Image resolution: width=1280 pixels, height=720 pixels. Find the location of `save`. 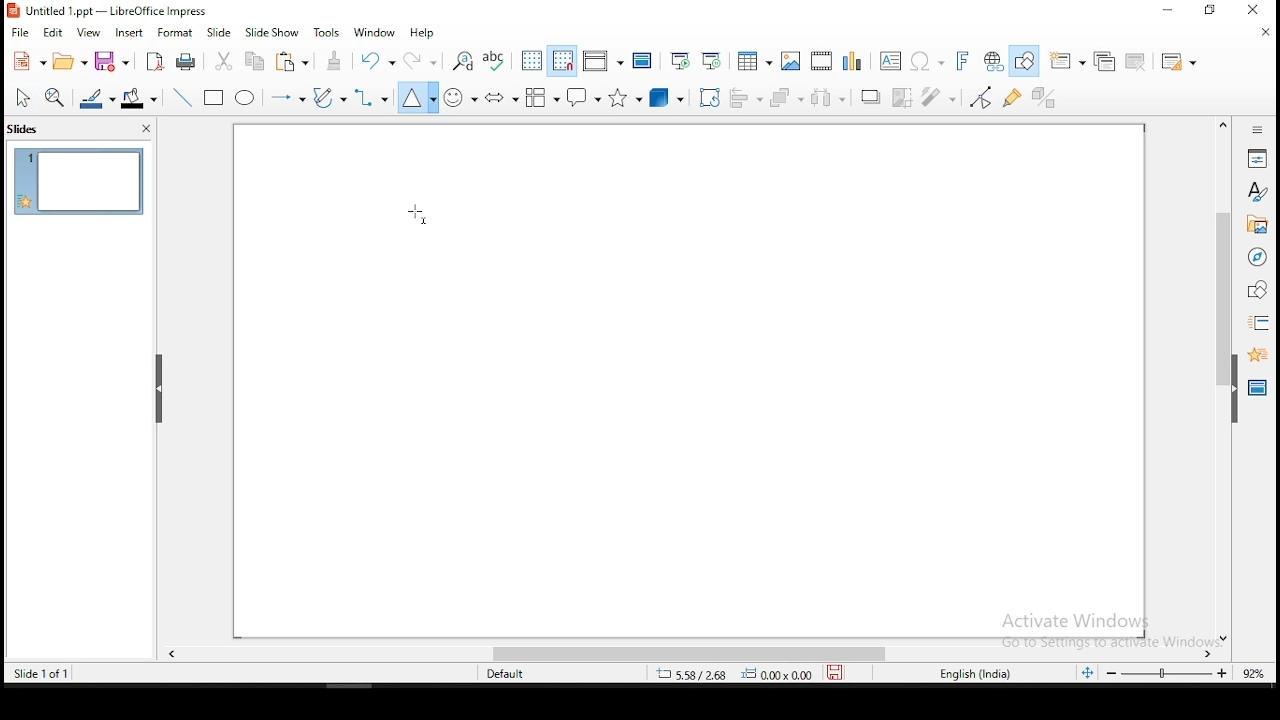

save is located at coordinates (835, 675).